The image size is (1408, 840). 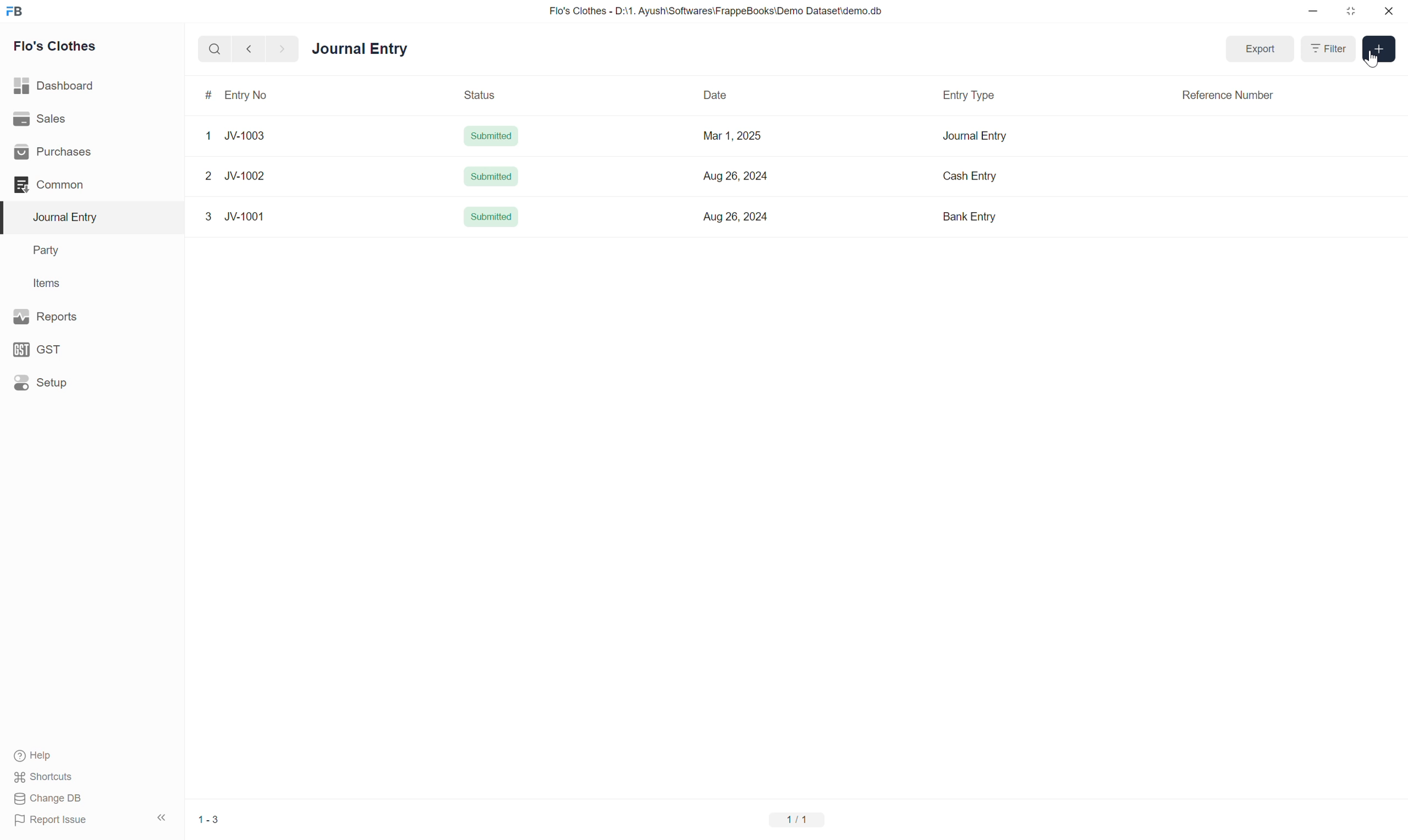 What do you see at coordinates (49, 251) in the screenshot?
I see `Party` at bounding box center [49, 251].